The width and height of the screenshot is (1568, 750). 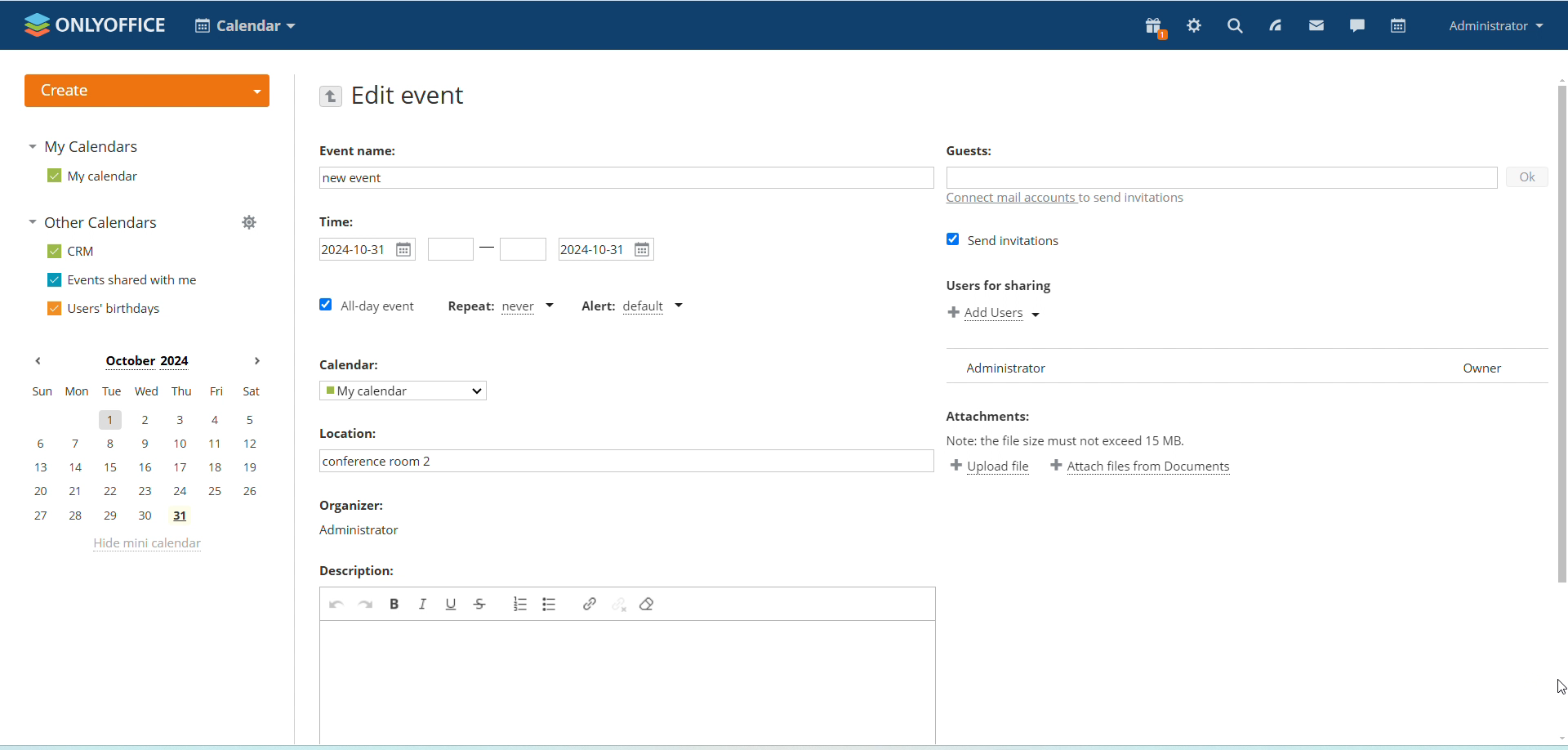 I want to click on create, so click(x=145, y=91).